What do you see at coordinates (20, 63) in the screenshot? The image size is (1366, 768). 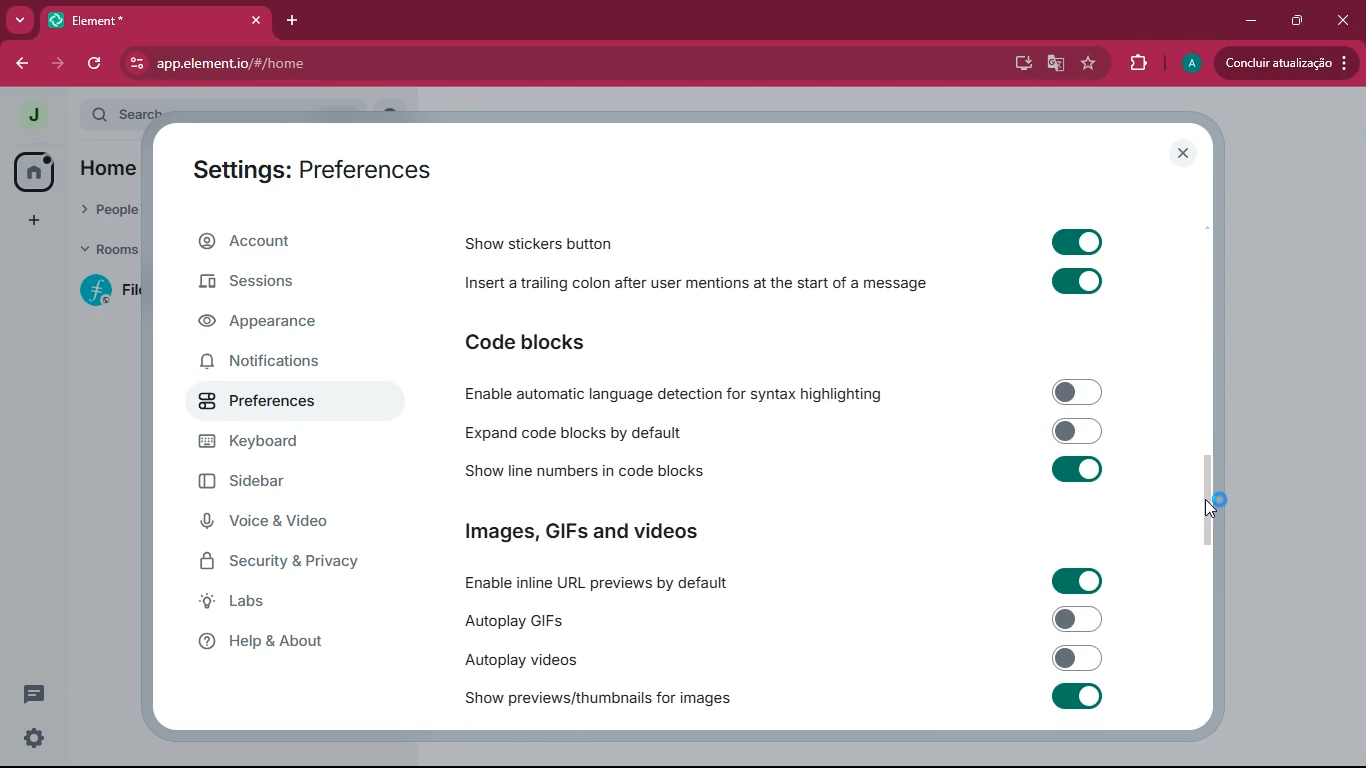 I see `back` at bounding box center [20, 63].